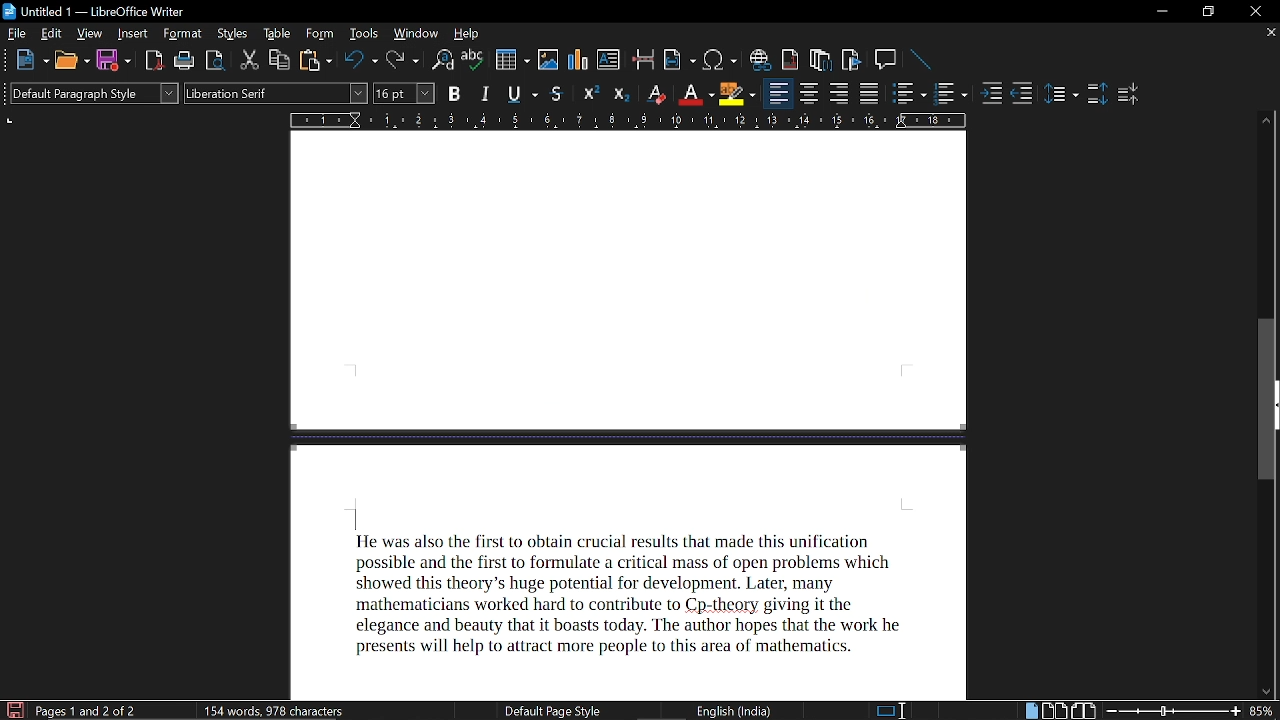 The height and width of the screenshot is (720, 1280). Describe the element at coordinates (994, 92) in the screenshot. I see `increase indent` at that location.